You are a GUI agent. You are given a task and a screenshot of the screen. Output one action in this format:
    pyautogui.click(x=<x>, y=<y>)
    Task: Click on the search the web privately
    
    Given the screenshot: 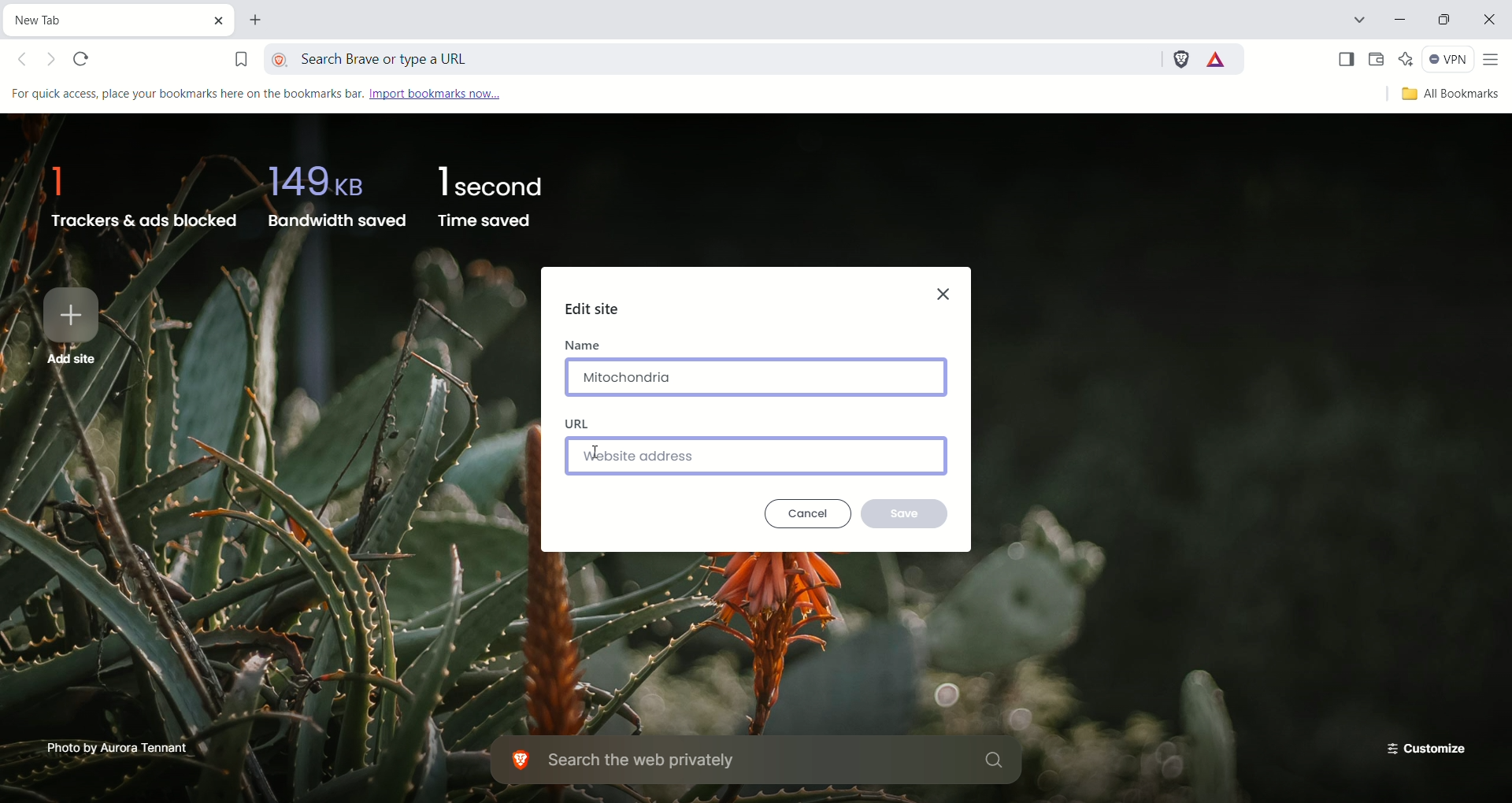 What is the action you would take?
    pyautogui.click(x=760, y=761)
    